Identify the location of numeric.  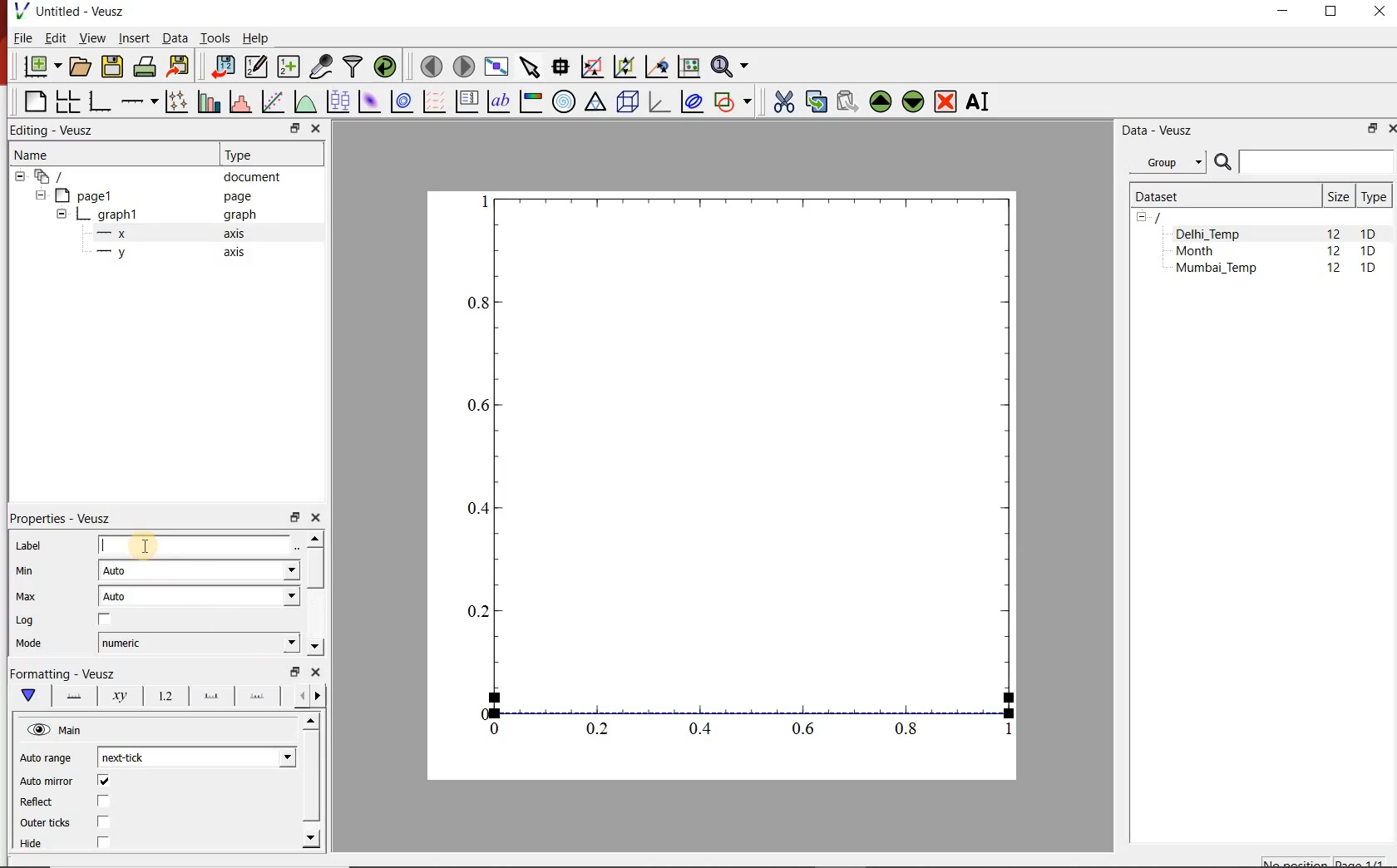
(199, 643).